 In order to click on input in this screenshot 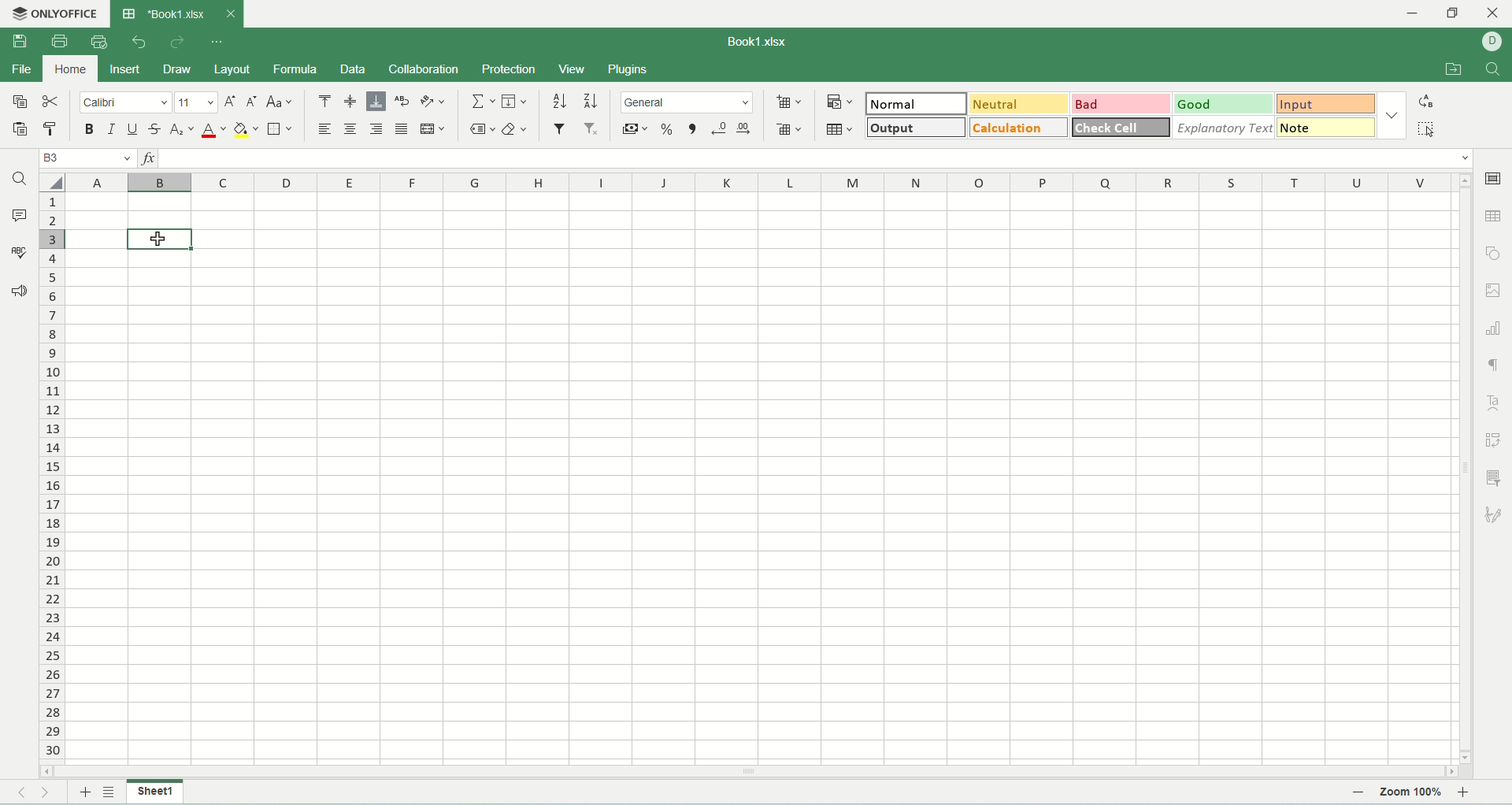, I will do `click(1329, 103)`.